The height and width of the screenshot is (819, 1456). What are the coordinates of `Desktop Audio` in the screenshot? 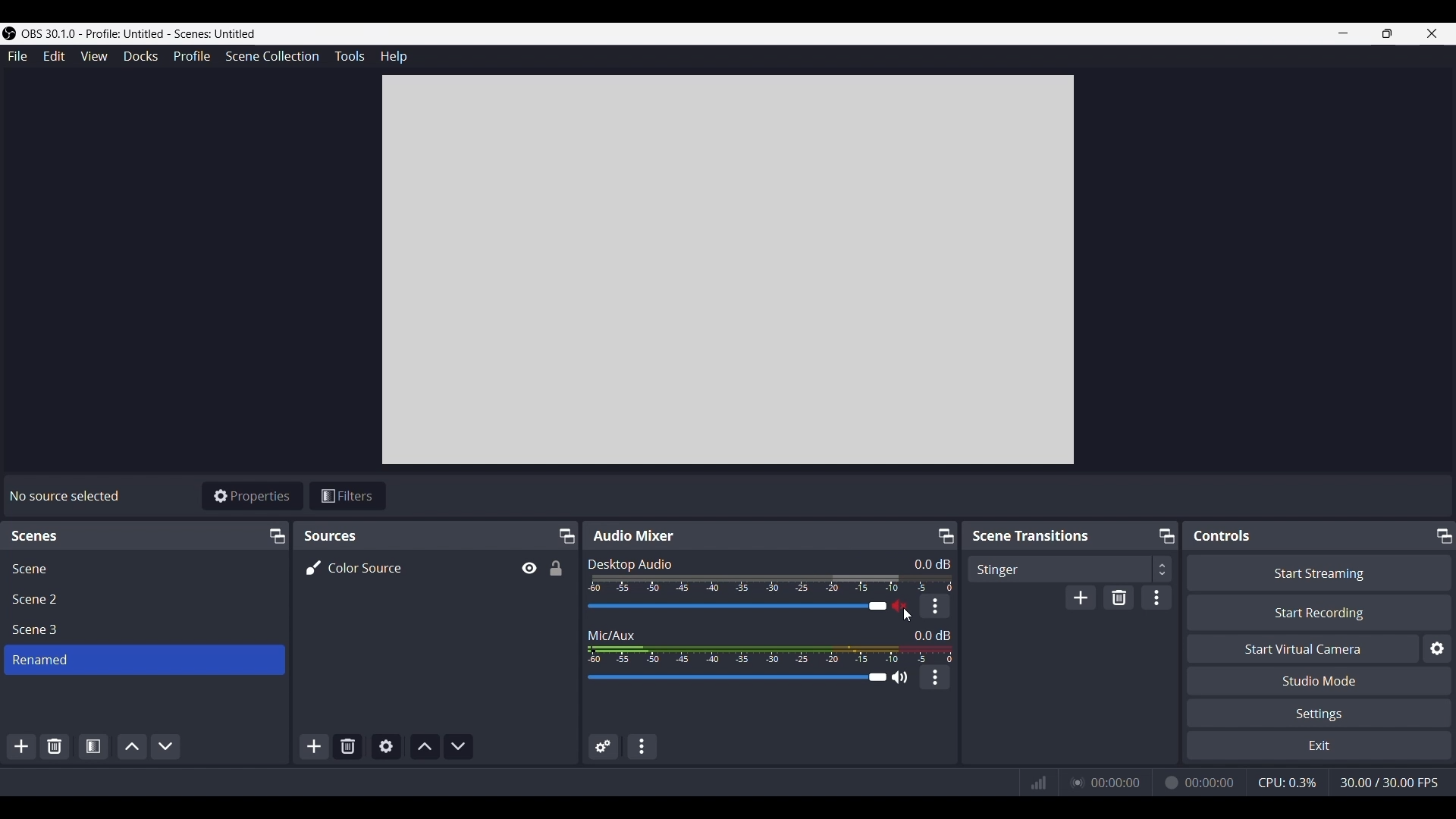 It's located at (632, 562).